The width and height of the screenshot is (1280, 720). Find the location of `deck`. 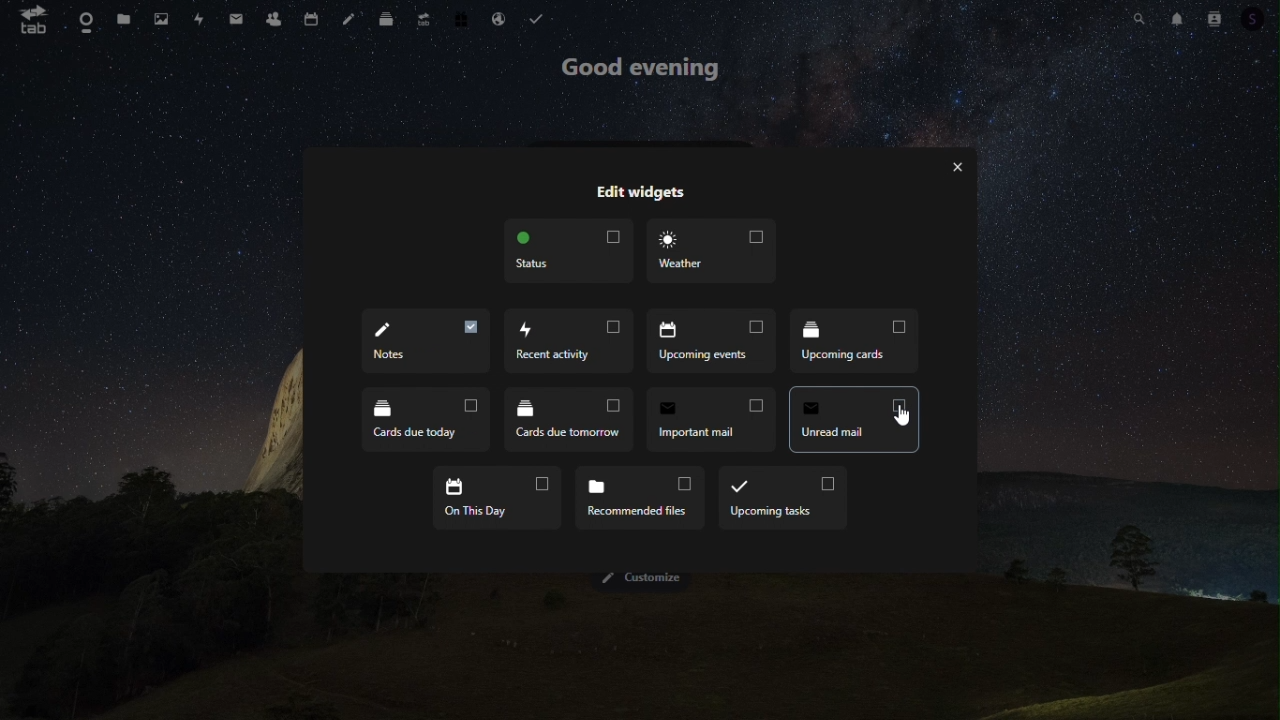

deck is located at coordinates (386, 21).